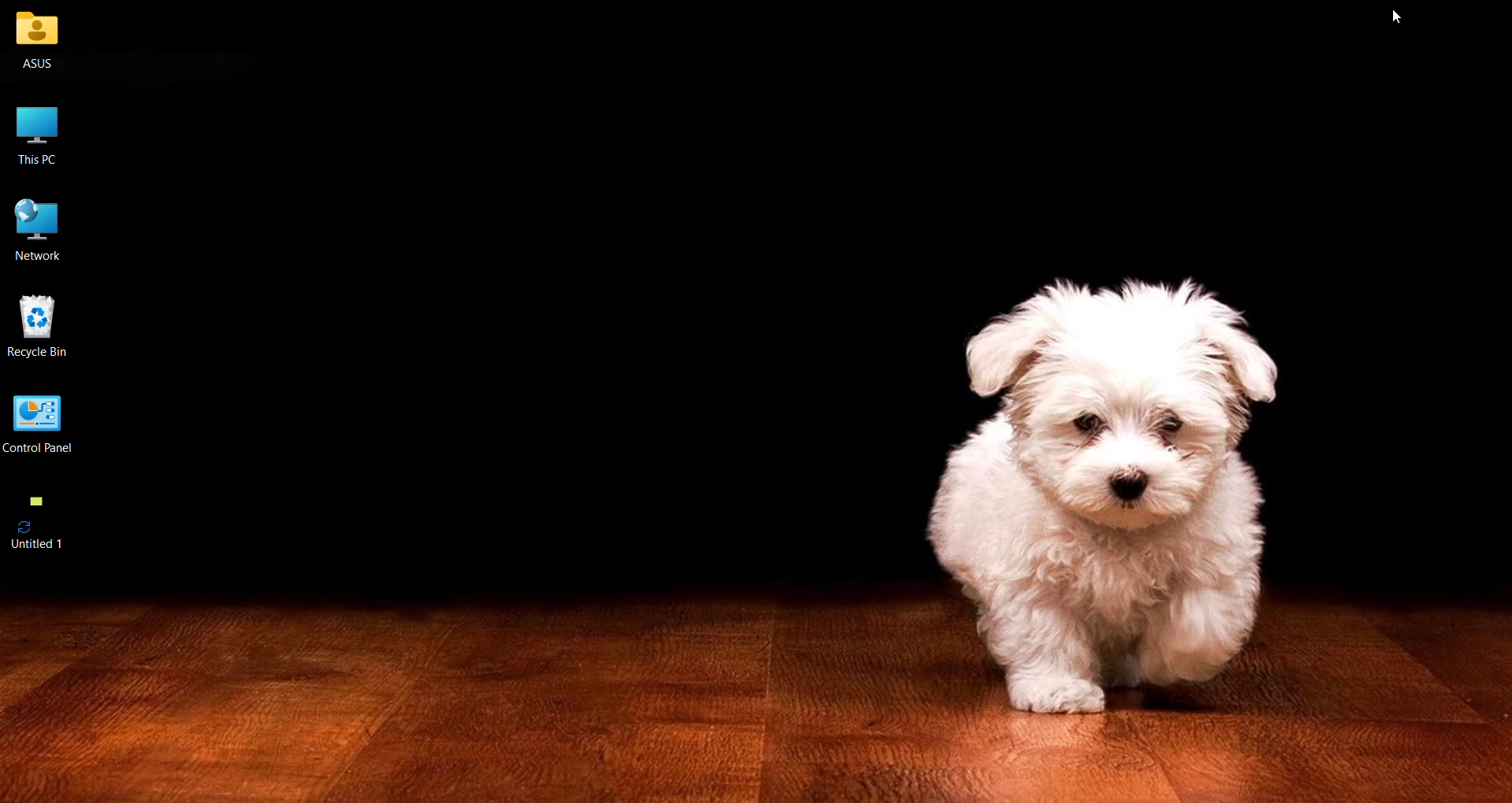 Image resolution: width=1512 pixels, height=803 pixels. I want to click on screen wallpaper, so click(750, 388).